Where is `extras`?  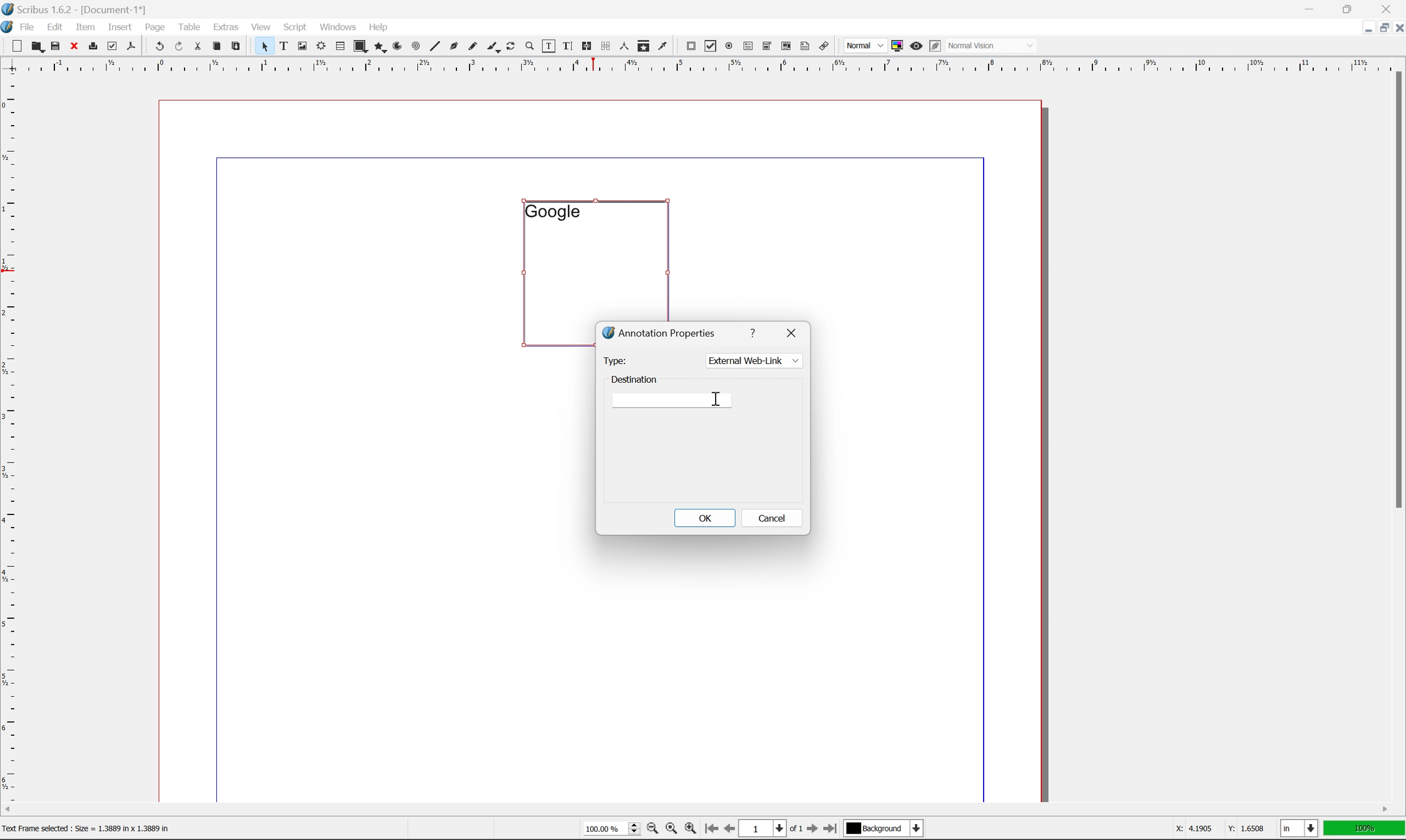 extras is located at coordinates (228, 27).